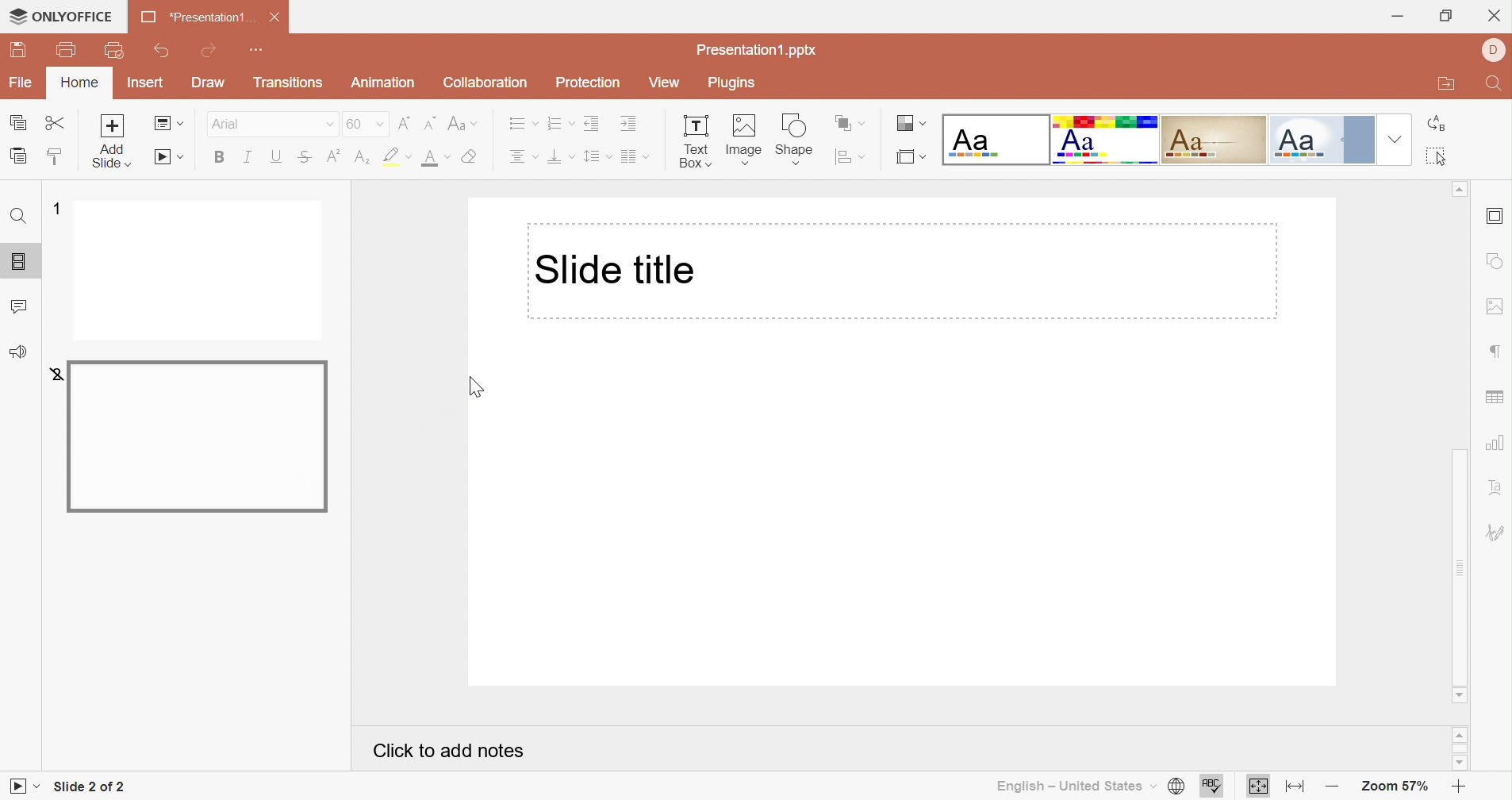  Describe the element at coordinates (1461, 748) in the screenshot. I see `Scroll Bar` at that location.